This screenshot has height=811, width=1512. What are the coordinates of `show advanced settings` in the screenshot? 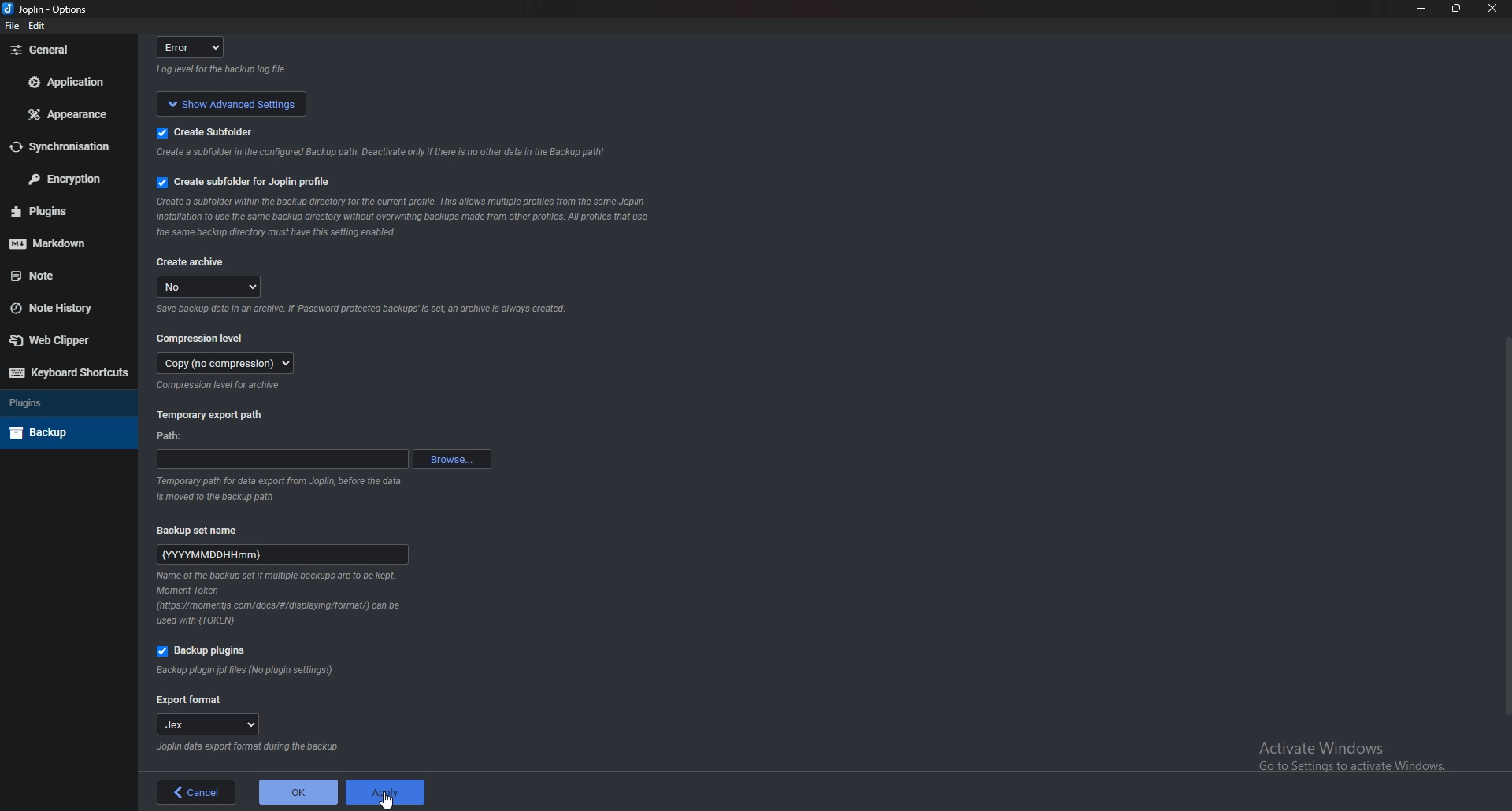 It's located at (228, 102).